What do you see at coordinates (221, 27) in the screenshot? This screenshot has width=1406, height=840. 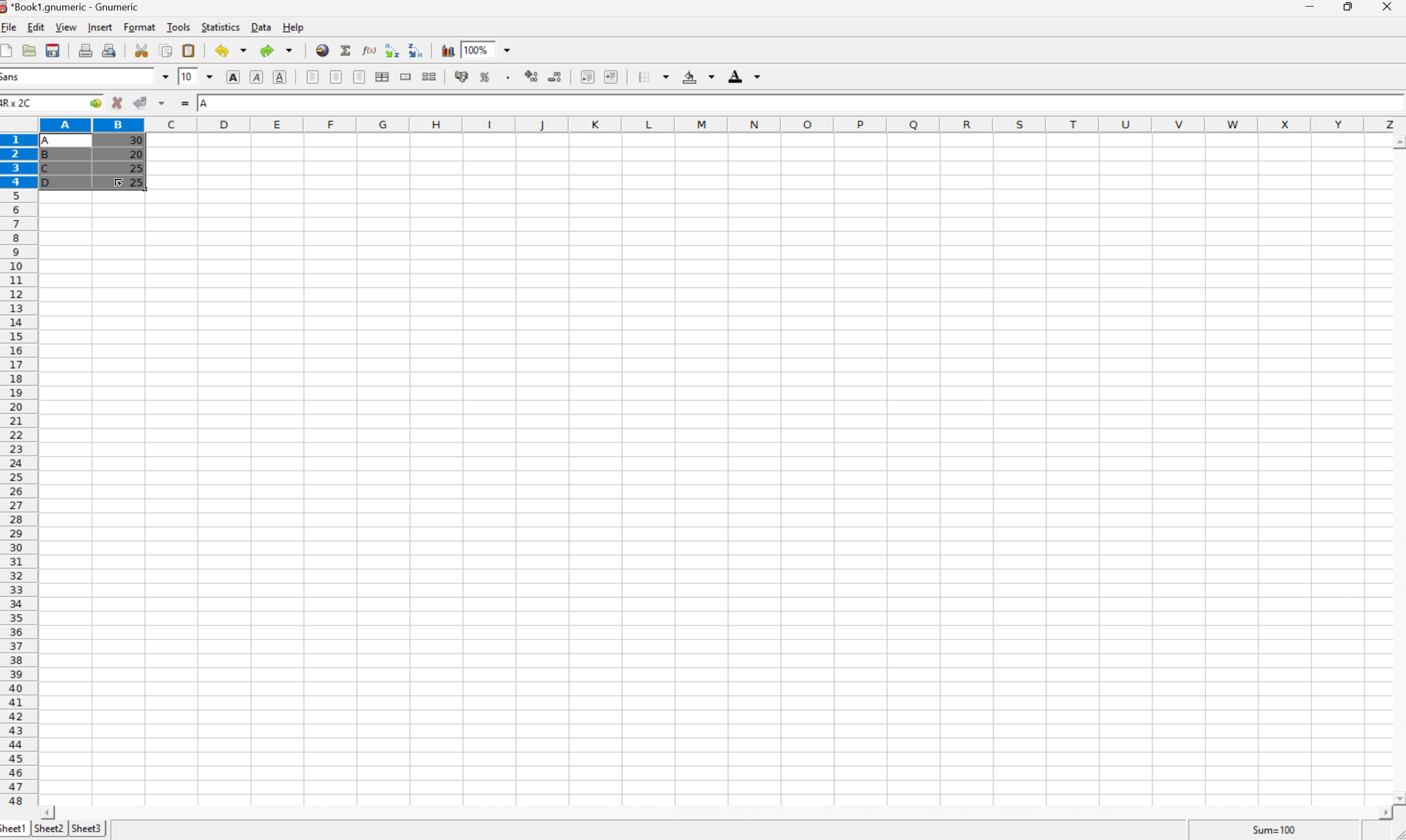 I see `Statistics` at bounding box center [221, 27].